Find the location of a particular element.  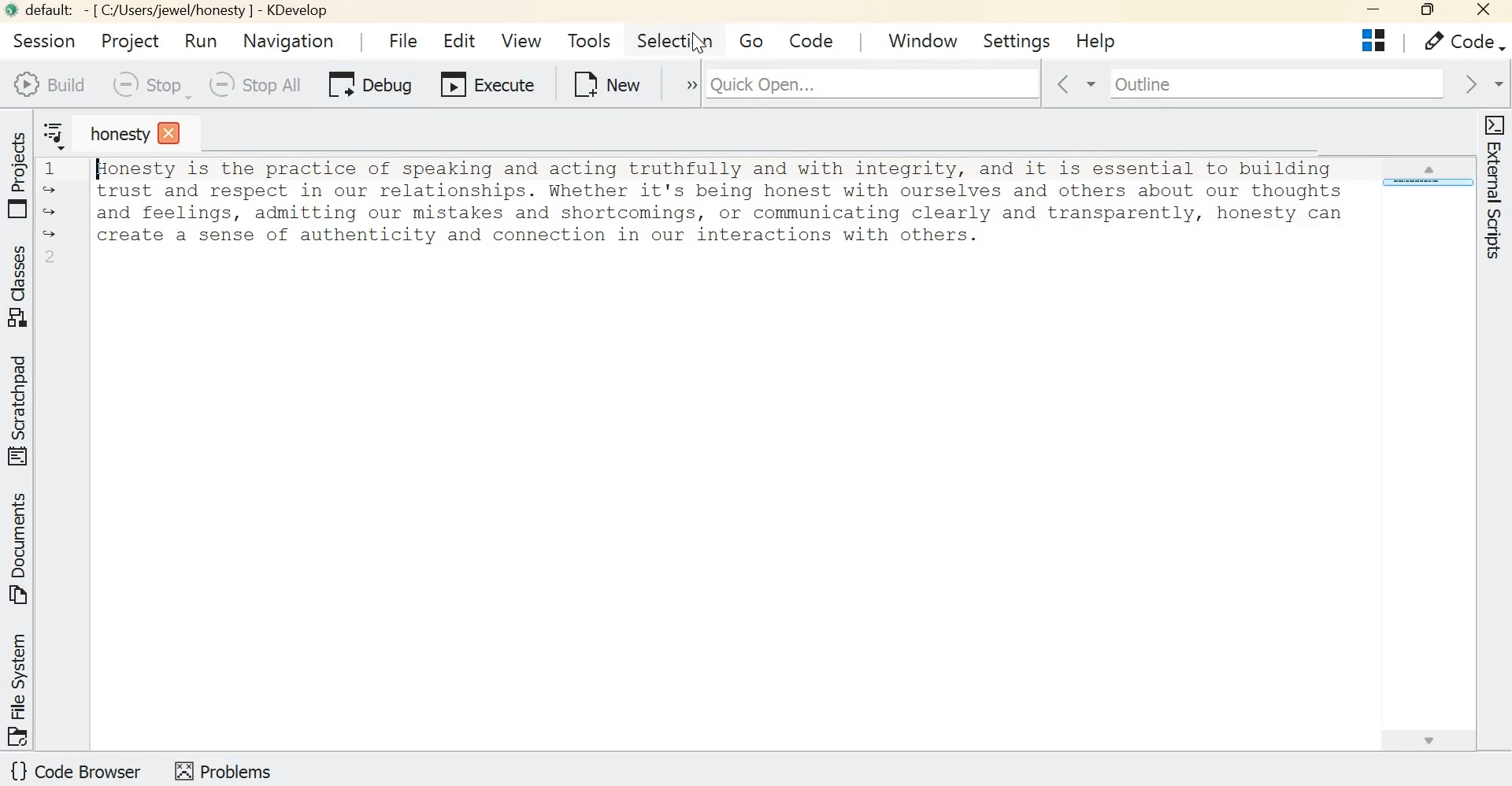

close is located at coordinates (1485, 13).